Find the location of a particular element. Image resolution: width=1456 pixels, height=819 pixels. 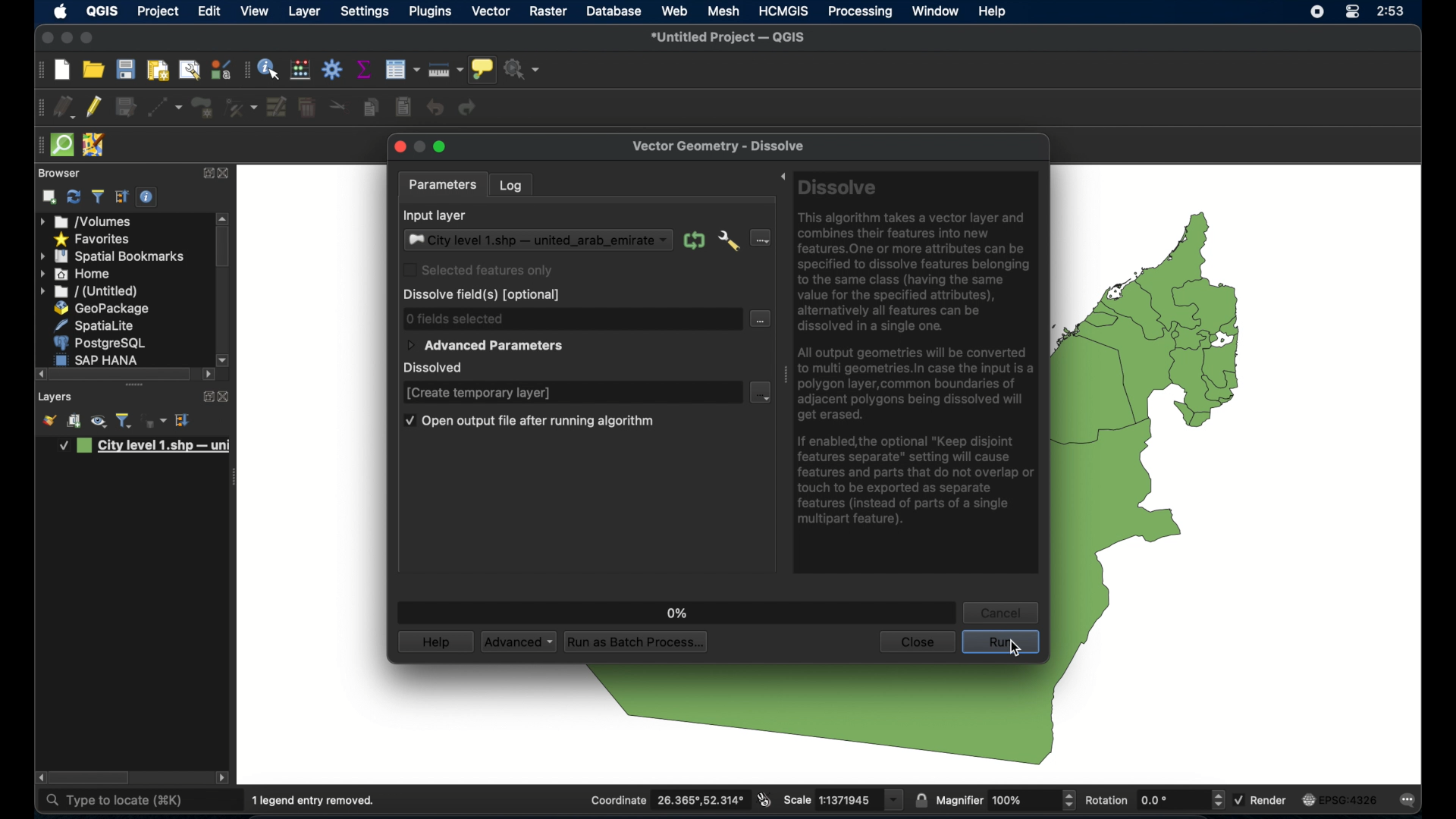

home is located at coordinates (77, 274).